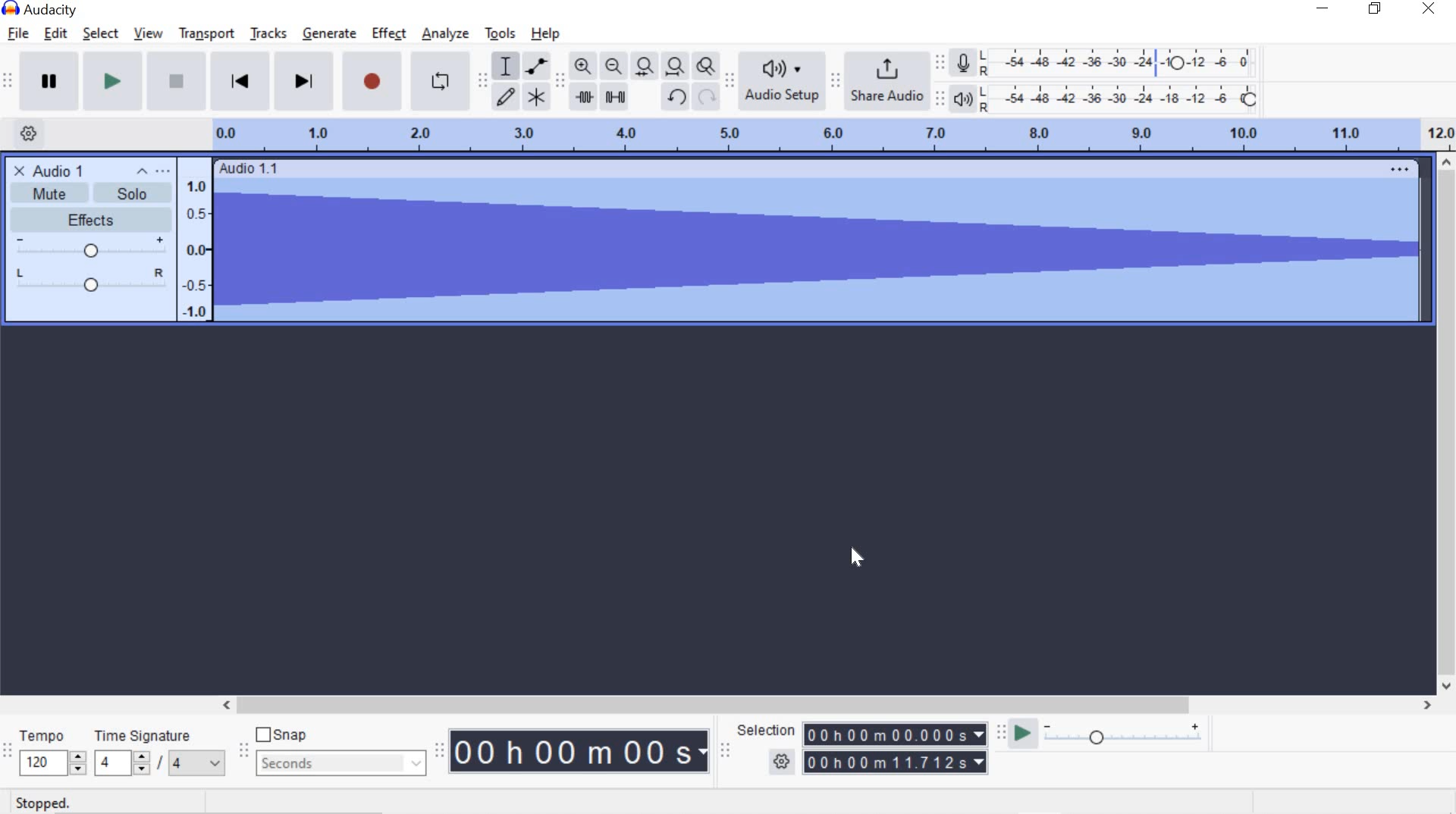  I want to click on Recording level, so click(1122, 58).